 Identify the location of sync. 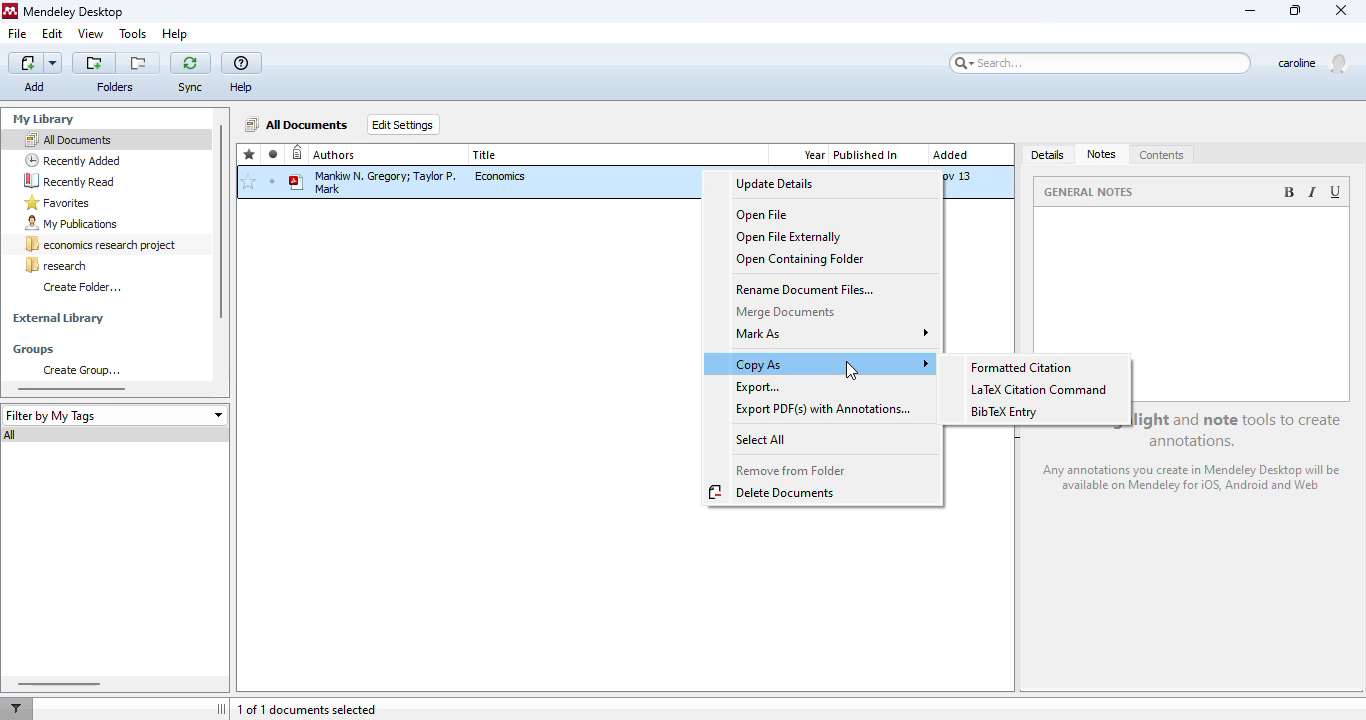
(190, 62).